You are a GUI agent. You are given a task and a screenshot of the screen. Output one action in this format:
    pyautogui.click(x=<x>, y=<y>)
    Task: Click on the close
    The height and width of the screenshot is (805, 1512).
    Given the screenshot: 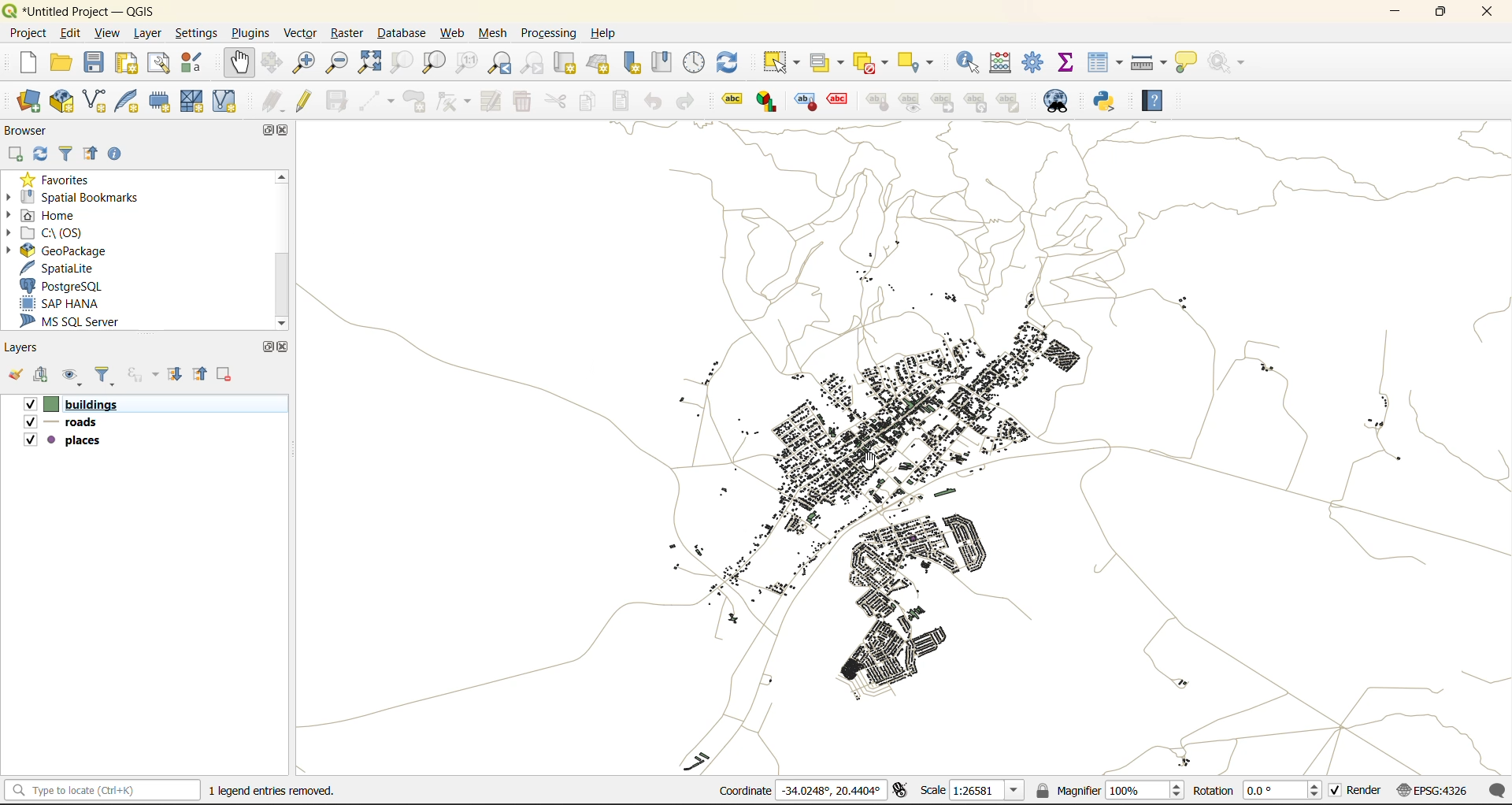 What is the action you would take?
    pyautogui.click(x=288, y=347)
    